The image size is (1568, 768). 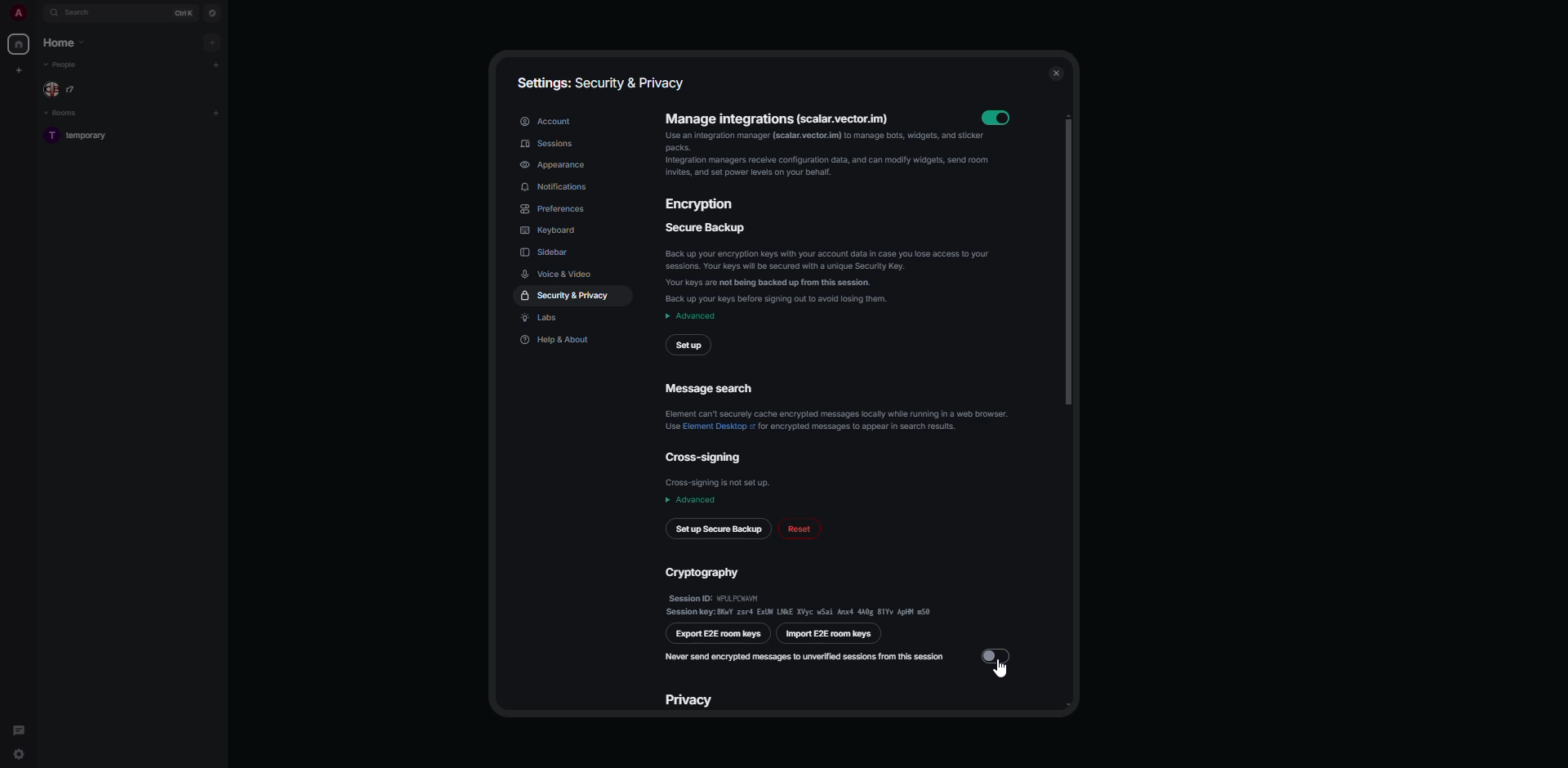 I want to click on export e2e room keys, so click(x=719, y=633).